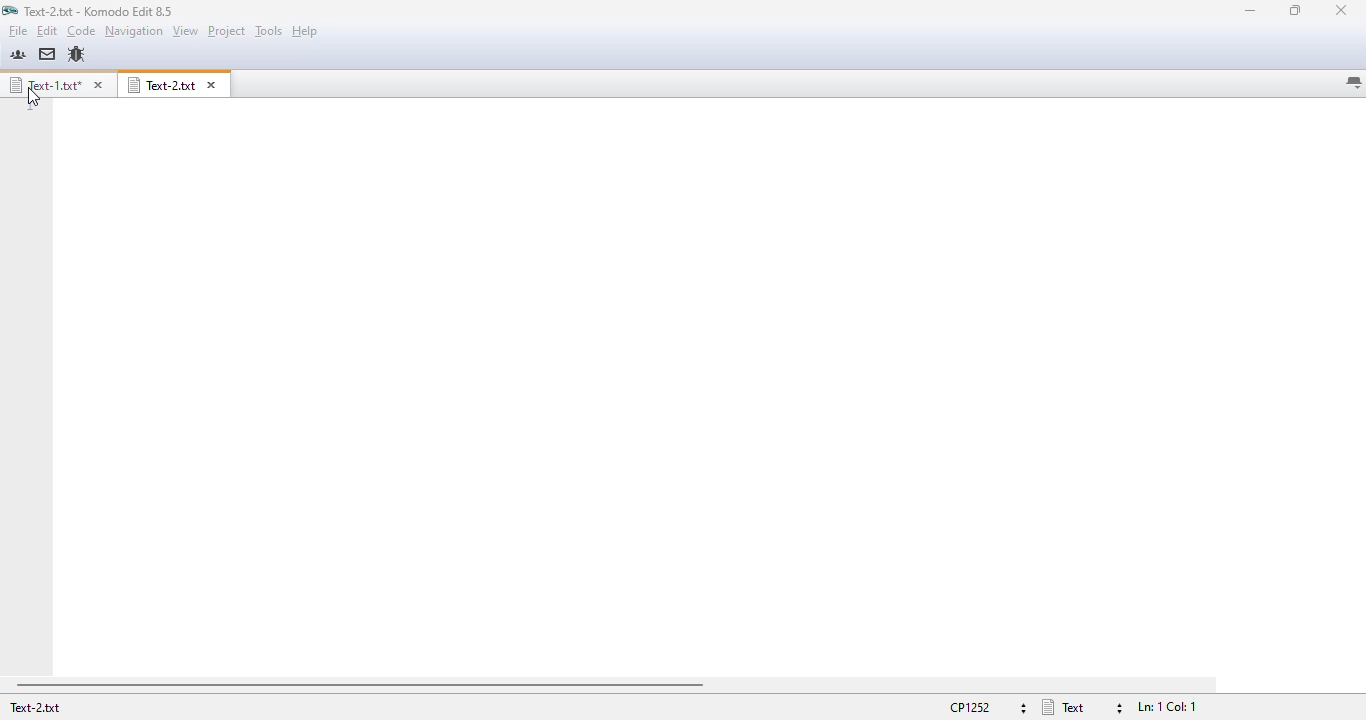 This screenshot has width=1366, height=720. What do you see at coordinates (227, 31) in the screenshot?
I see `project` at bounding box center [227, 31].